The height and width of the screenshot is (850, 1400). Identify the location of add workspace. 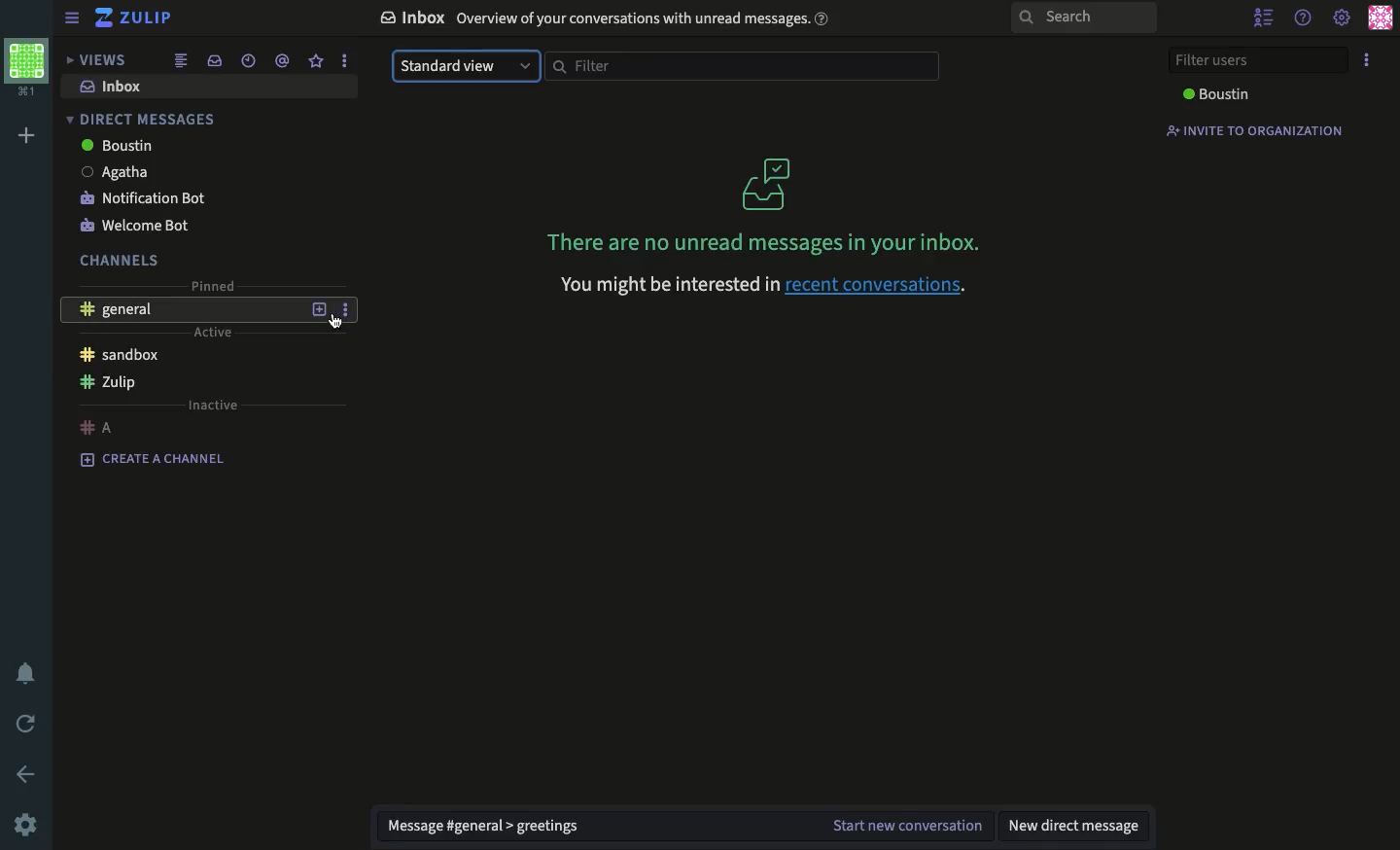
(25, 135).